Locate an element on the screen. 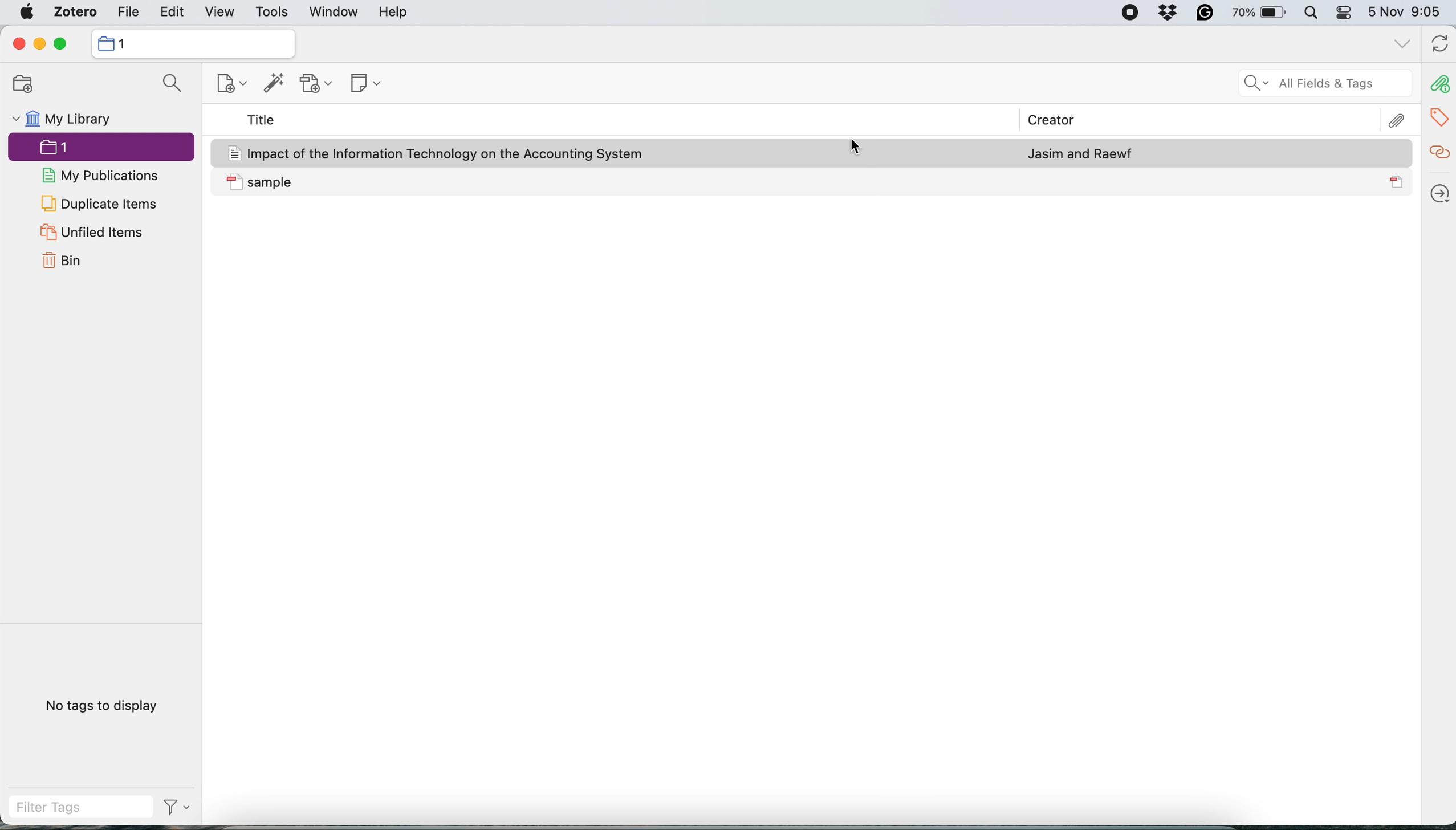 This screenshot has width=1456, height=830. all fields and tags is located at coordinates (1312, 84).